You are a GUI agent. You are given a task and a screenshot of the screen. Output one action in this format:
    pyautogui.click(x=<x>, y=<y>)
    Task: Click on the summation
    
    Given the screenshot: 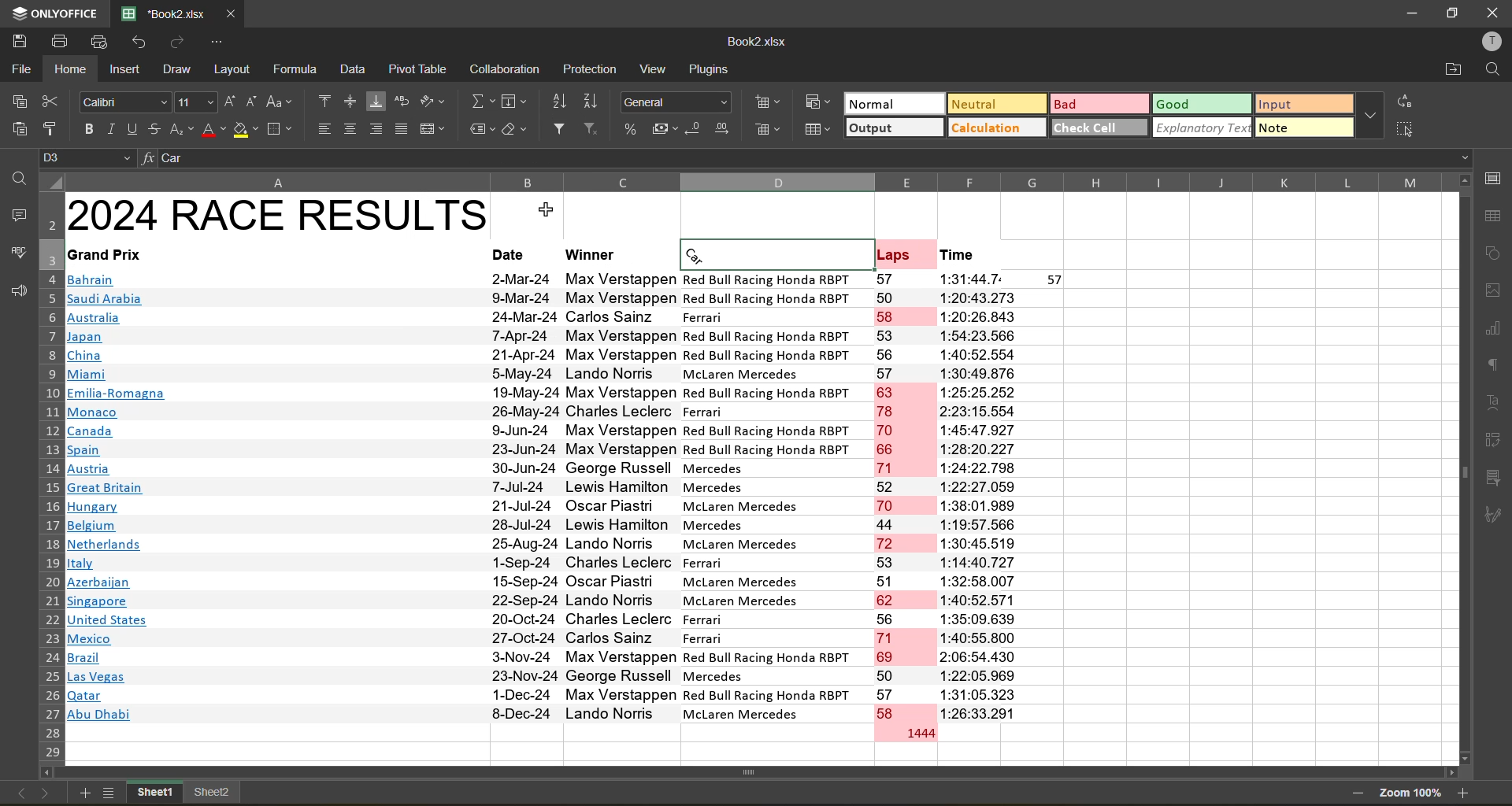 What is the action you would take?
    pyautogui.click(x=480, y=100)
    